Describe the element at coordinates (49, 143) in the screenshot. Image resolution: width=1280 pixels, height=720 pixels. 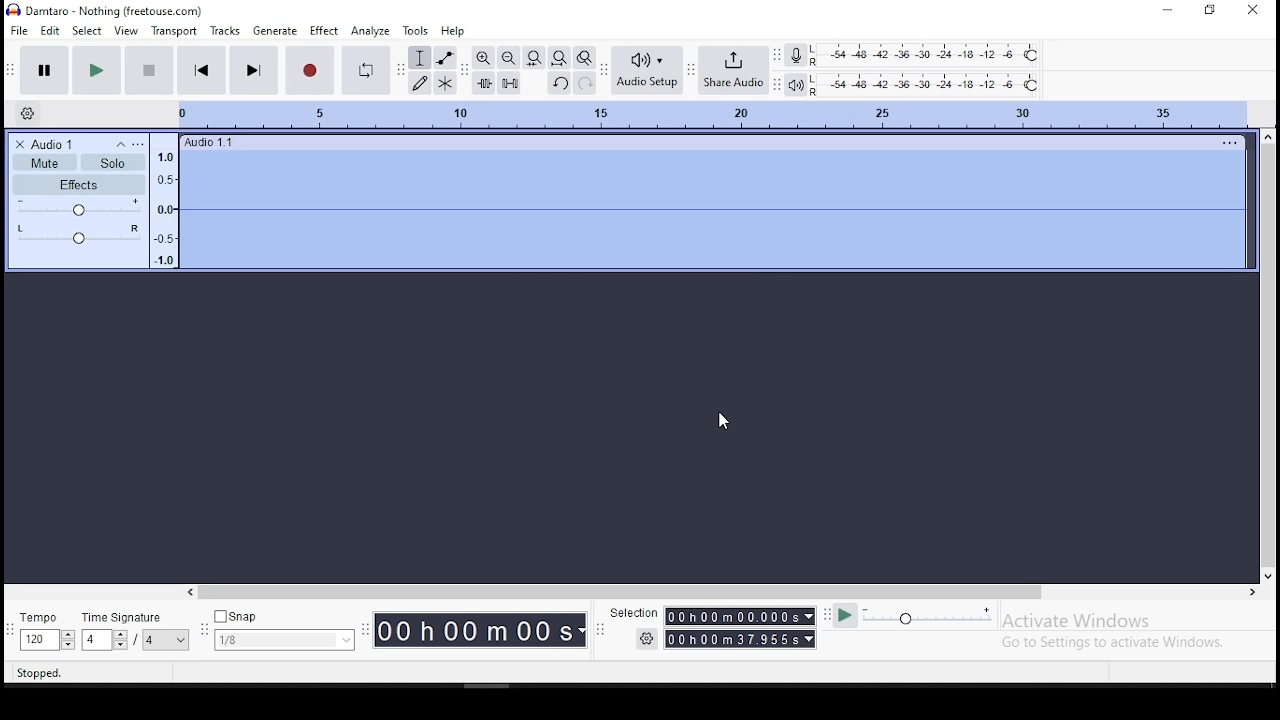
I see `Audio 1` at that location.